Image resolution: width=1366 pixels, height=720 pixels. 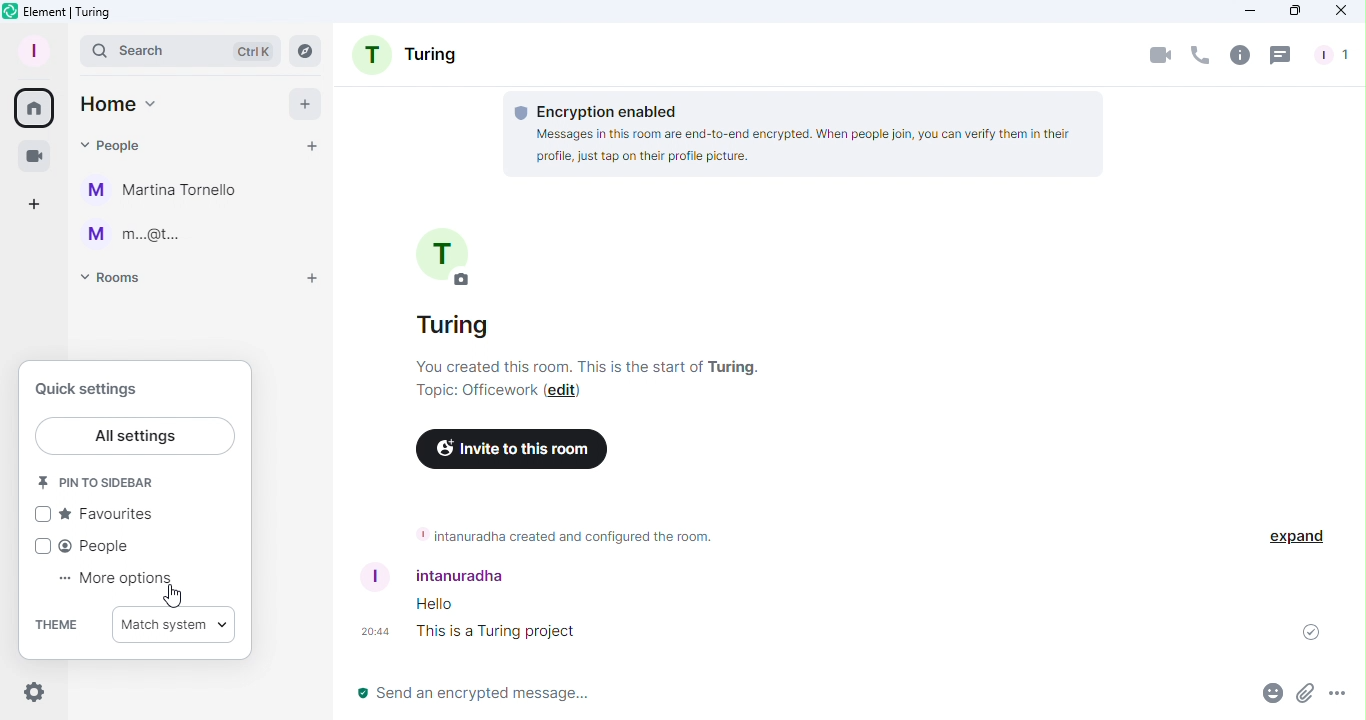 I want to click on Call, so click(x=1200, y=58).